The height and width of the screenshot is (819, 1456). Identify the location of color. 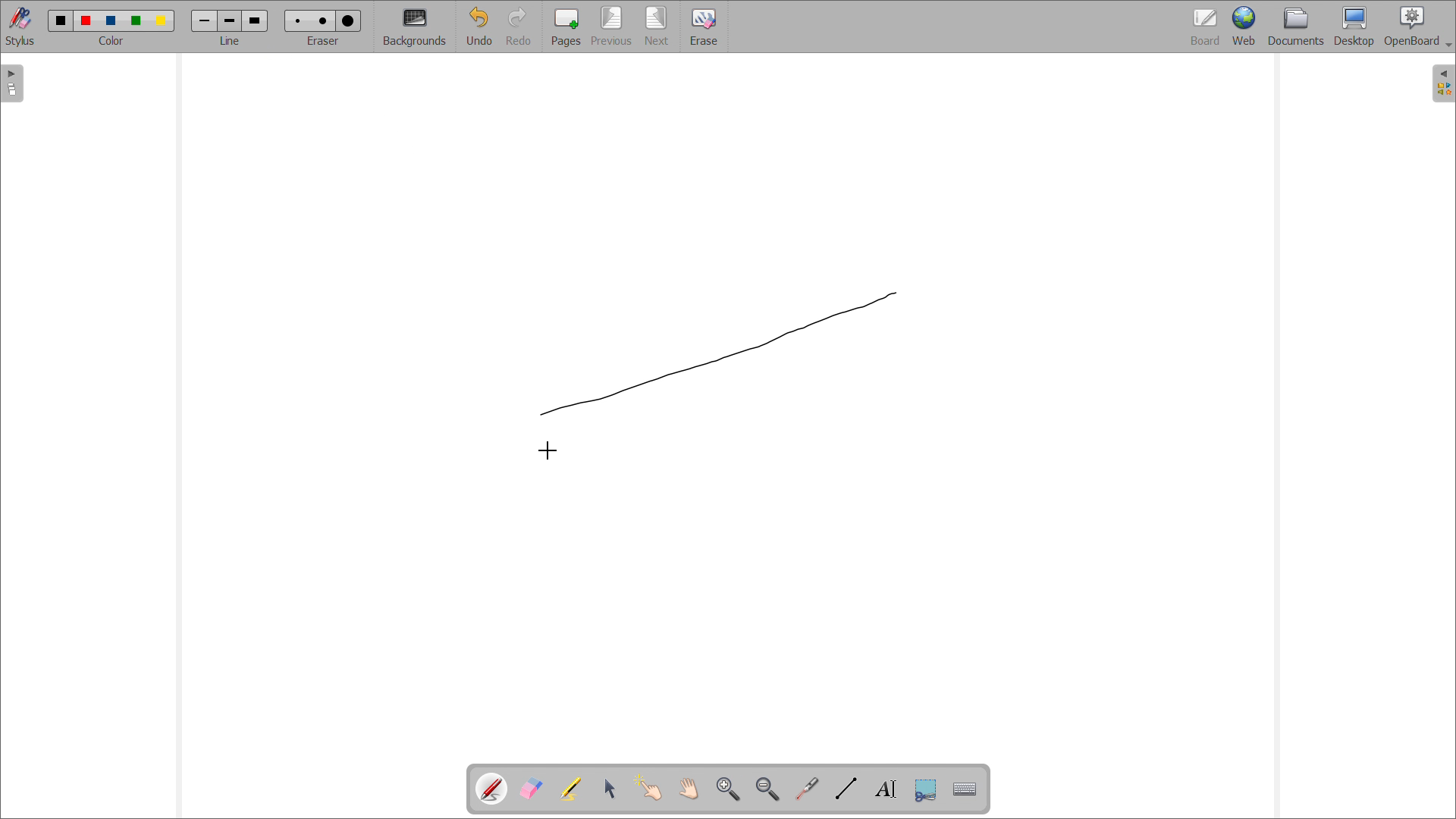
(88, 20).